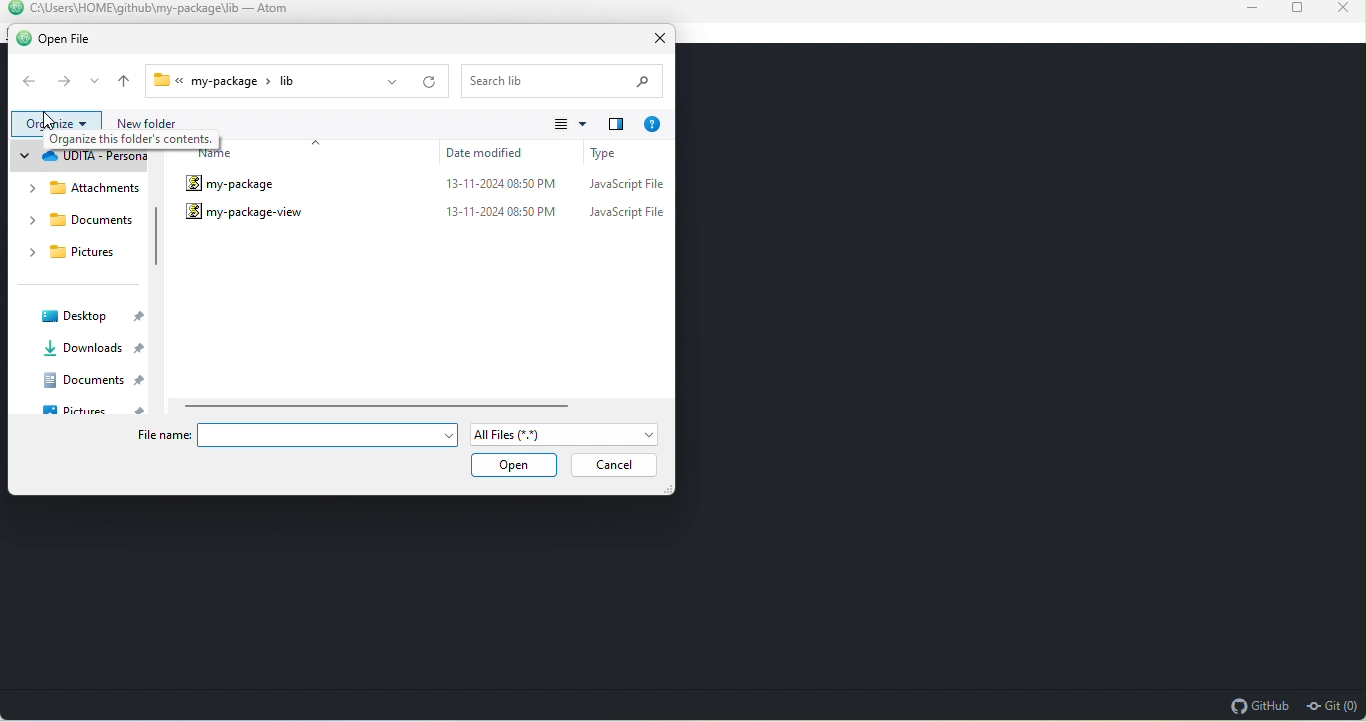  I want to click on search, so click(558, 81).